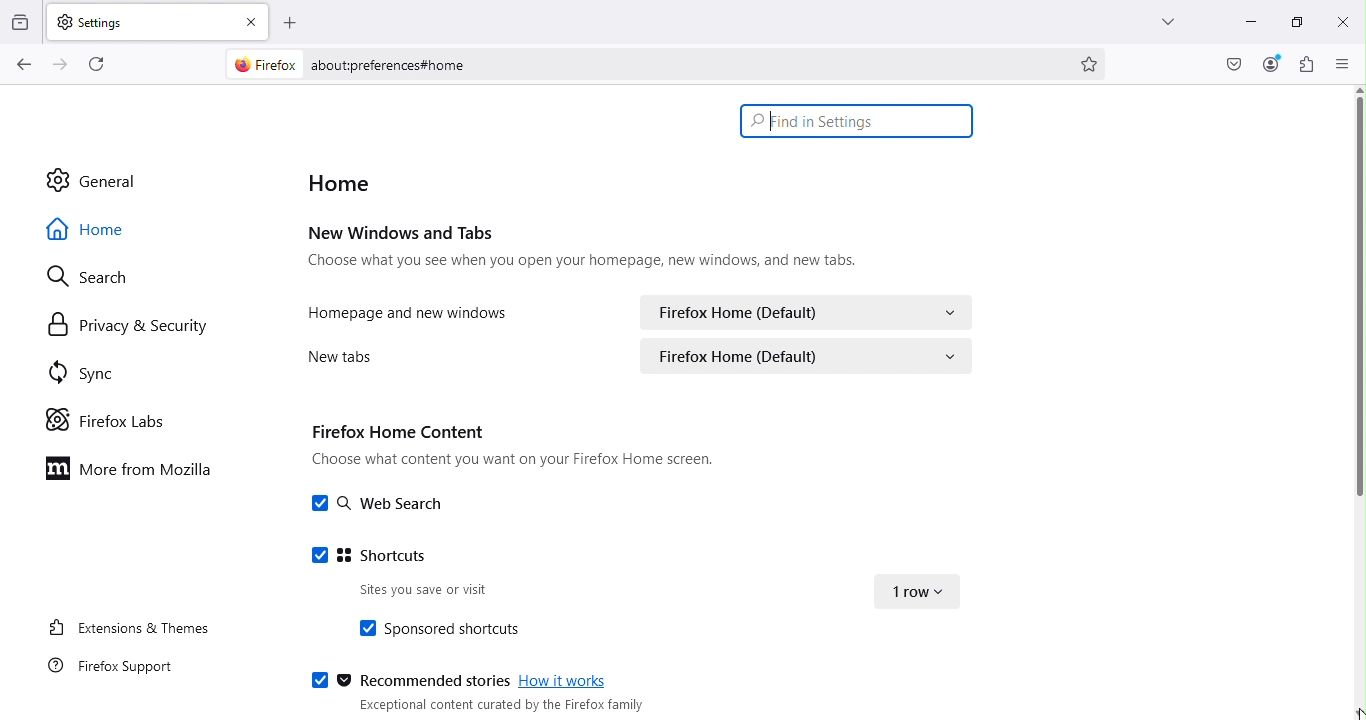  I want to click on cursor, so click(1357, 715).